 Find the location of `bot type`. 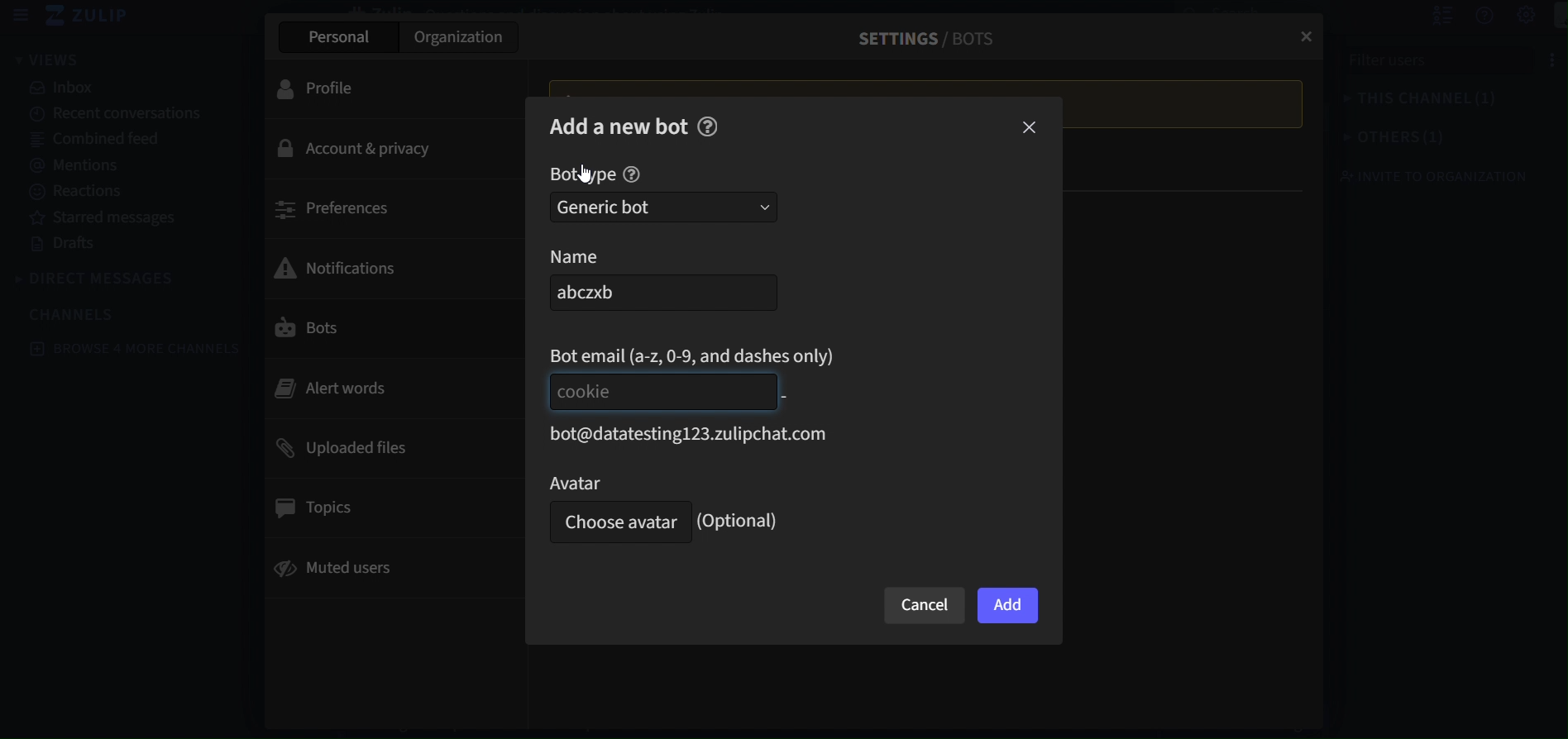

bot type is located at coordinates (582, 175).